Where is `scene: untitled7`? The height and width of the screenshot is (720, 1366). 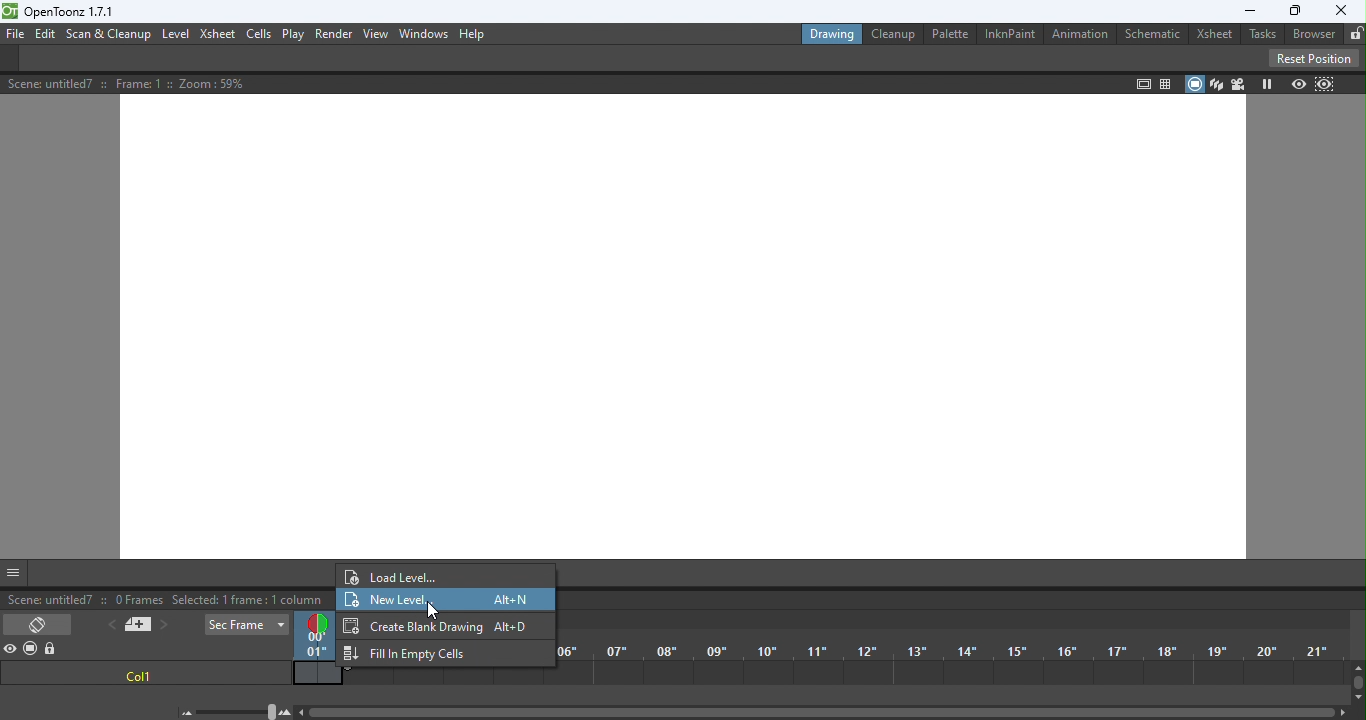
scene: untitled7 is located at coordinates (49, 601).